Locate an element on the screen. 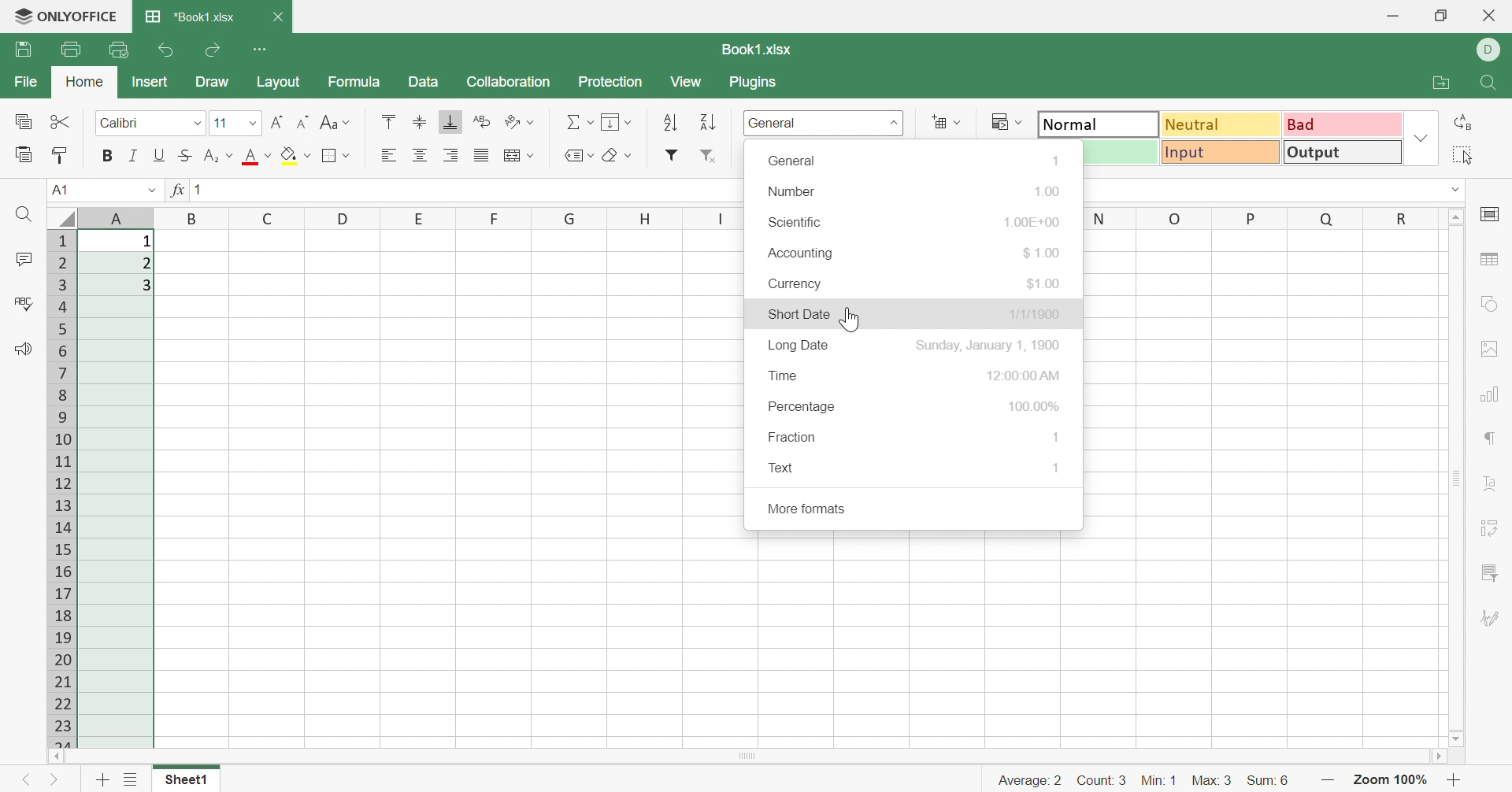 The height and width of the screenshot is (792, 1512). Increment font size is located at coordinates (277, 122).